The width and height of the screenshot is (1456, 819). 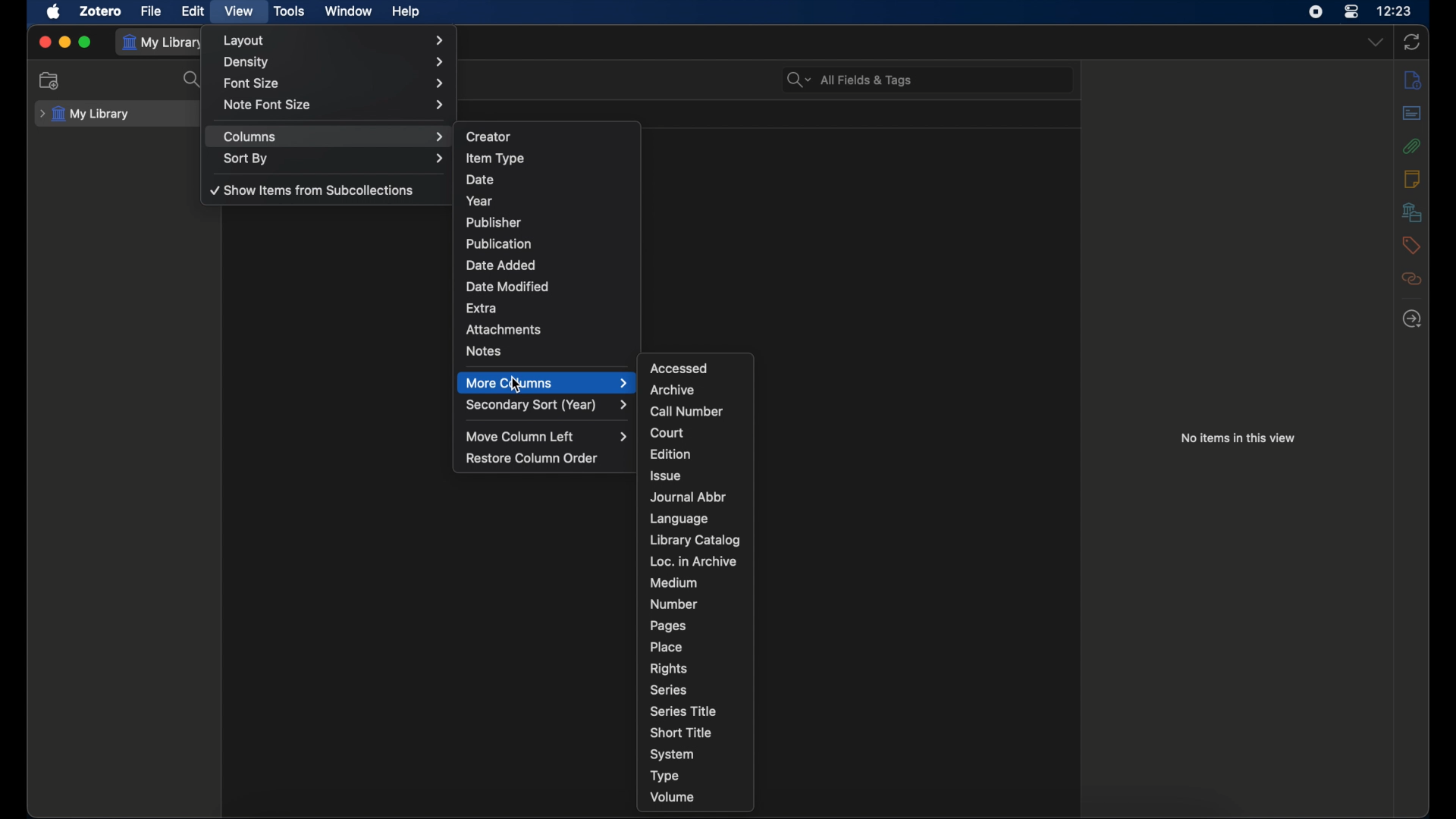 I want to click on close, so click(x=45, y=42).